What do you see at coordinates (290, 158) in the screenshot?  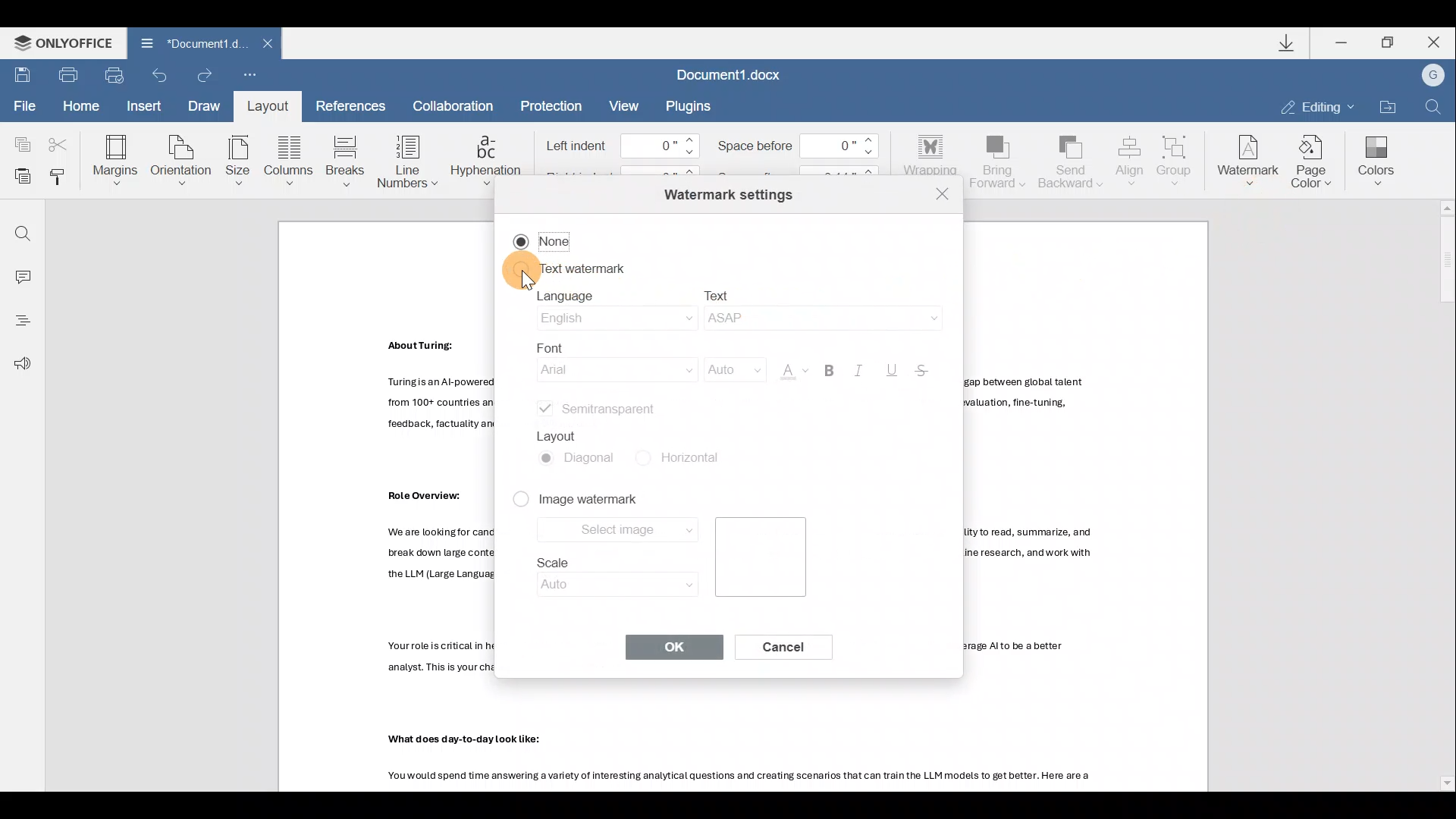 I see `Columns` at bounding box center [290, 158].